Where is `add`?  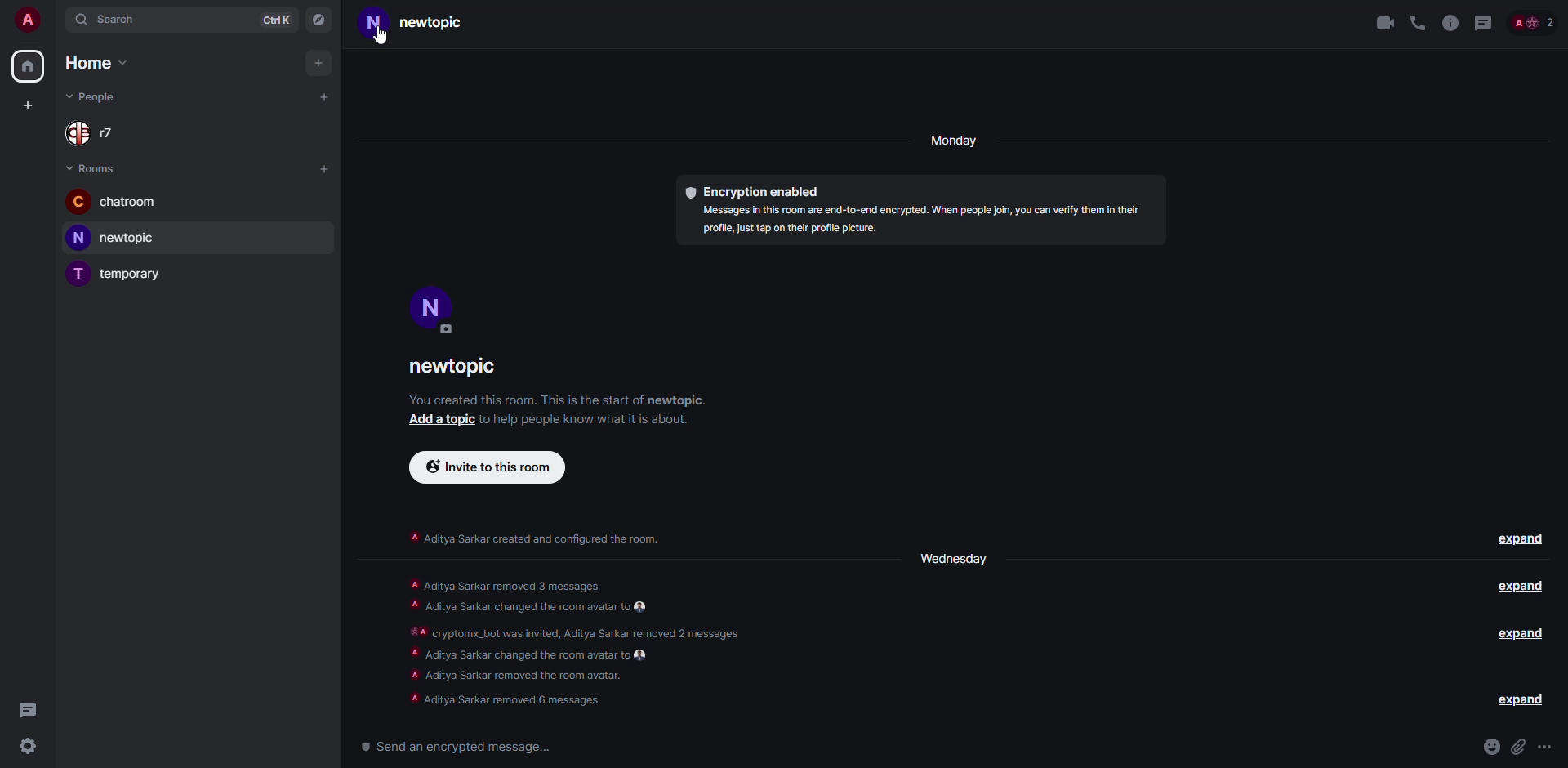 add is located at coordinates (321, 66).